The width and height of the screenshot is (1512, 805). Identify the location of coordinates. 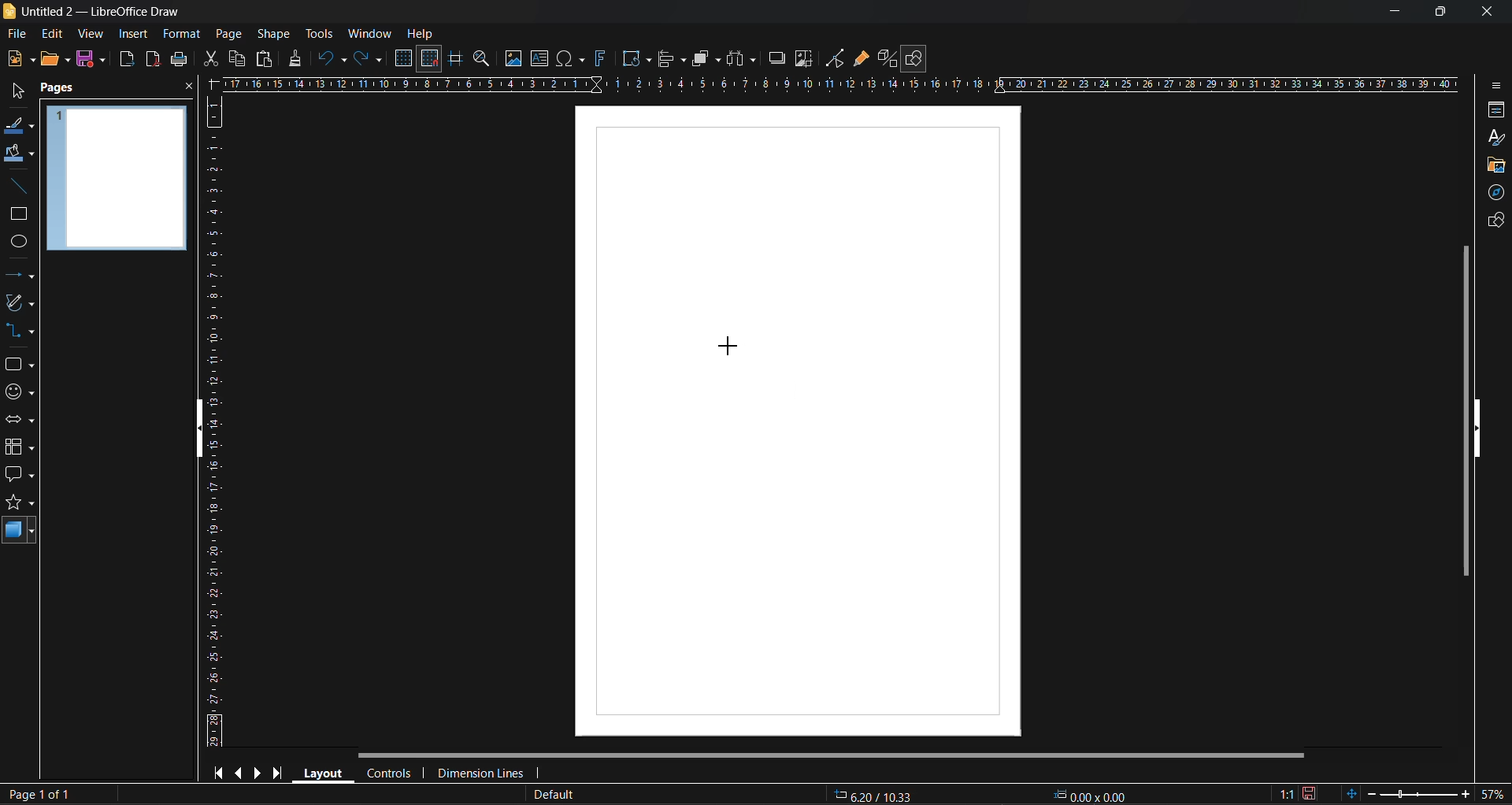
(988, 794).